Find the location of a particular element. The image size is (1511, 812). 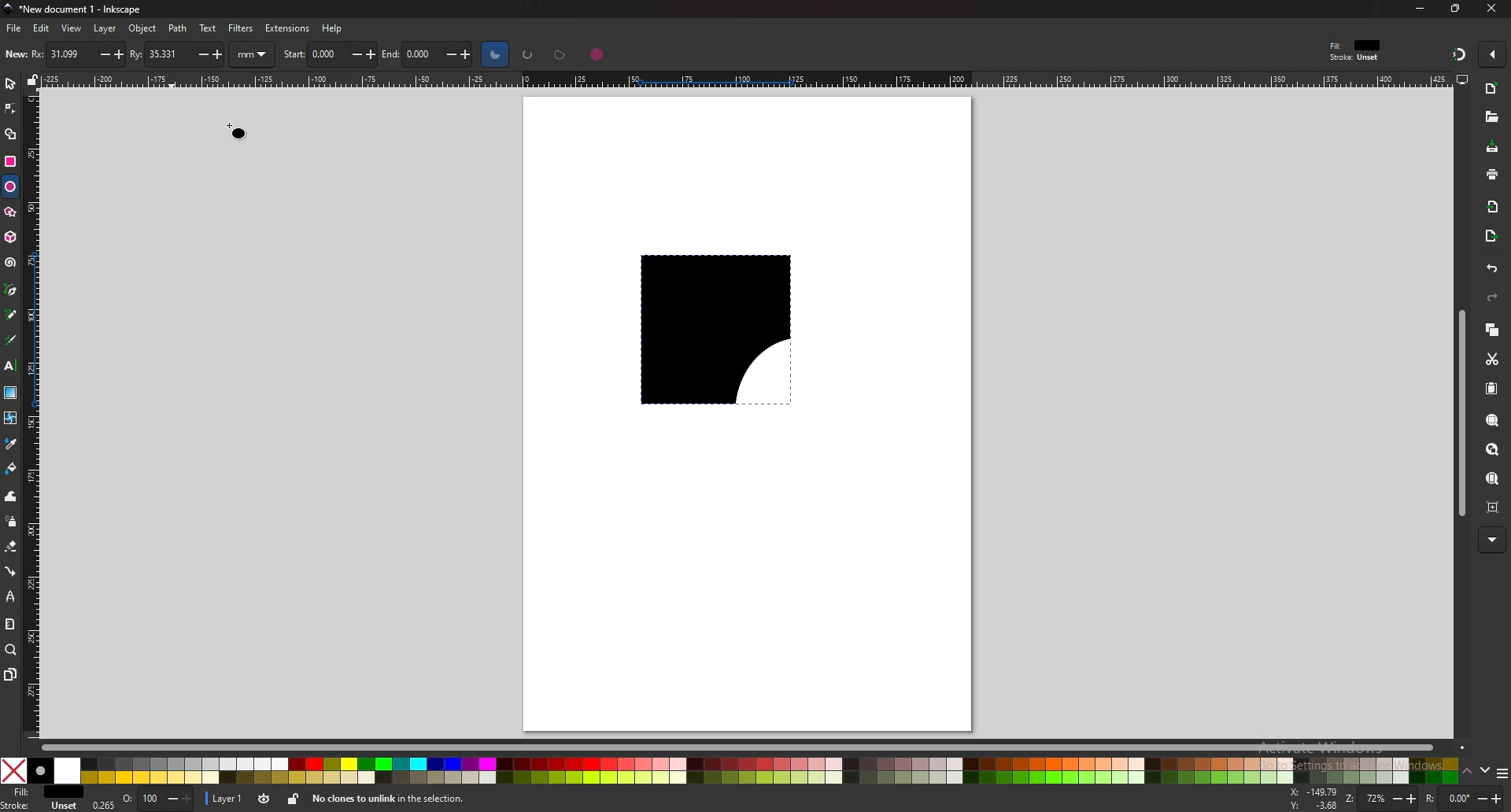

shape builder is located at coordinates (9, 135).